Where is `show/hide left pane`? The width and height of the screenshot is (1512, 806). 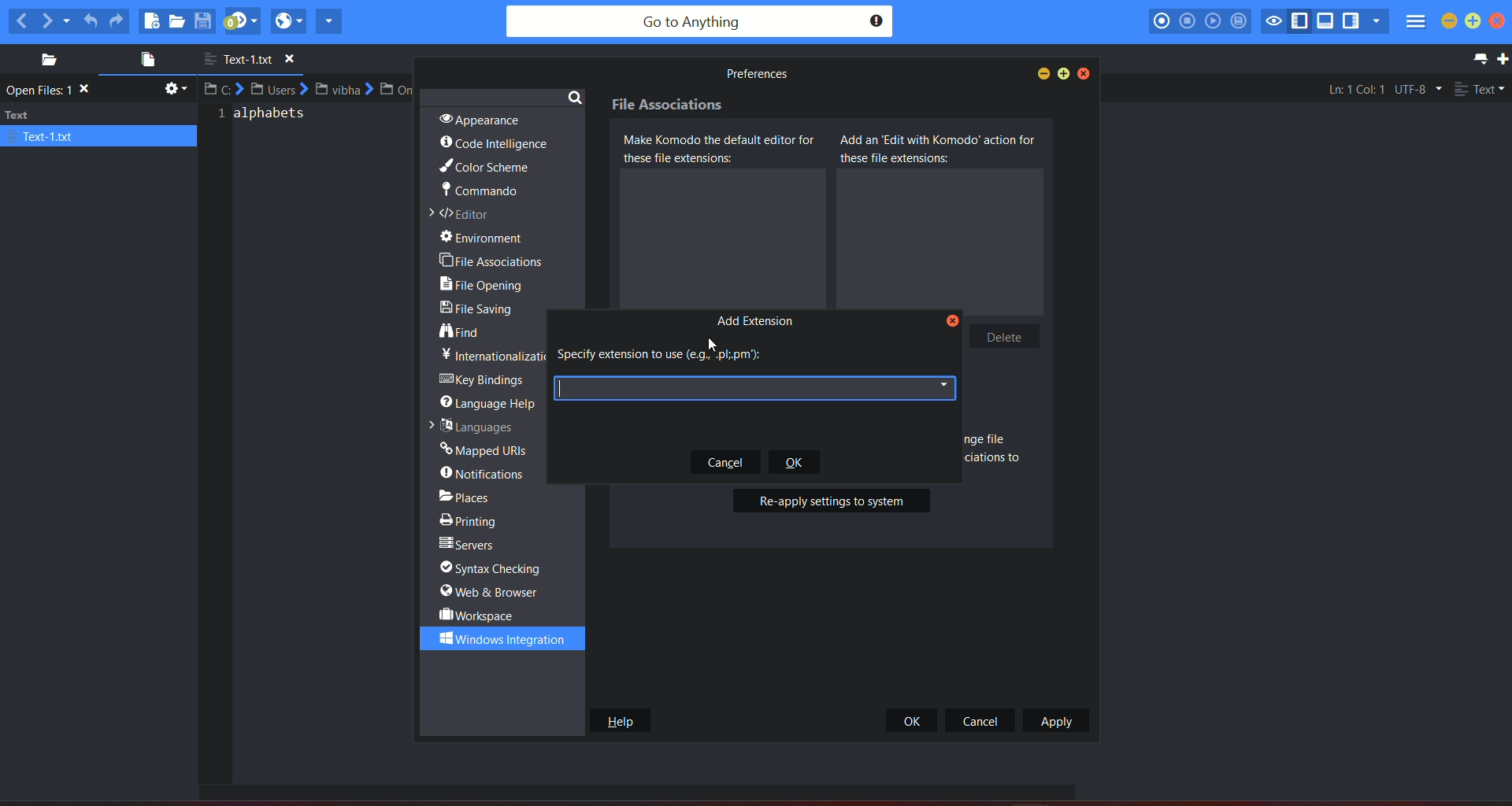 show/hide left pane is located at coordinates (1303, 19).